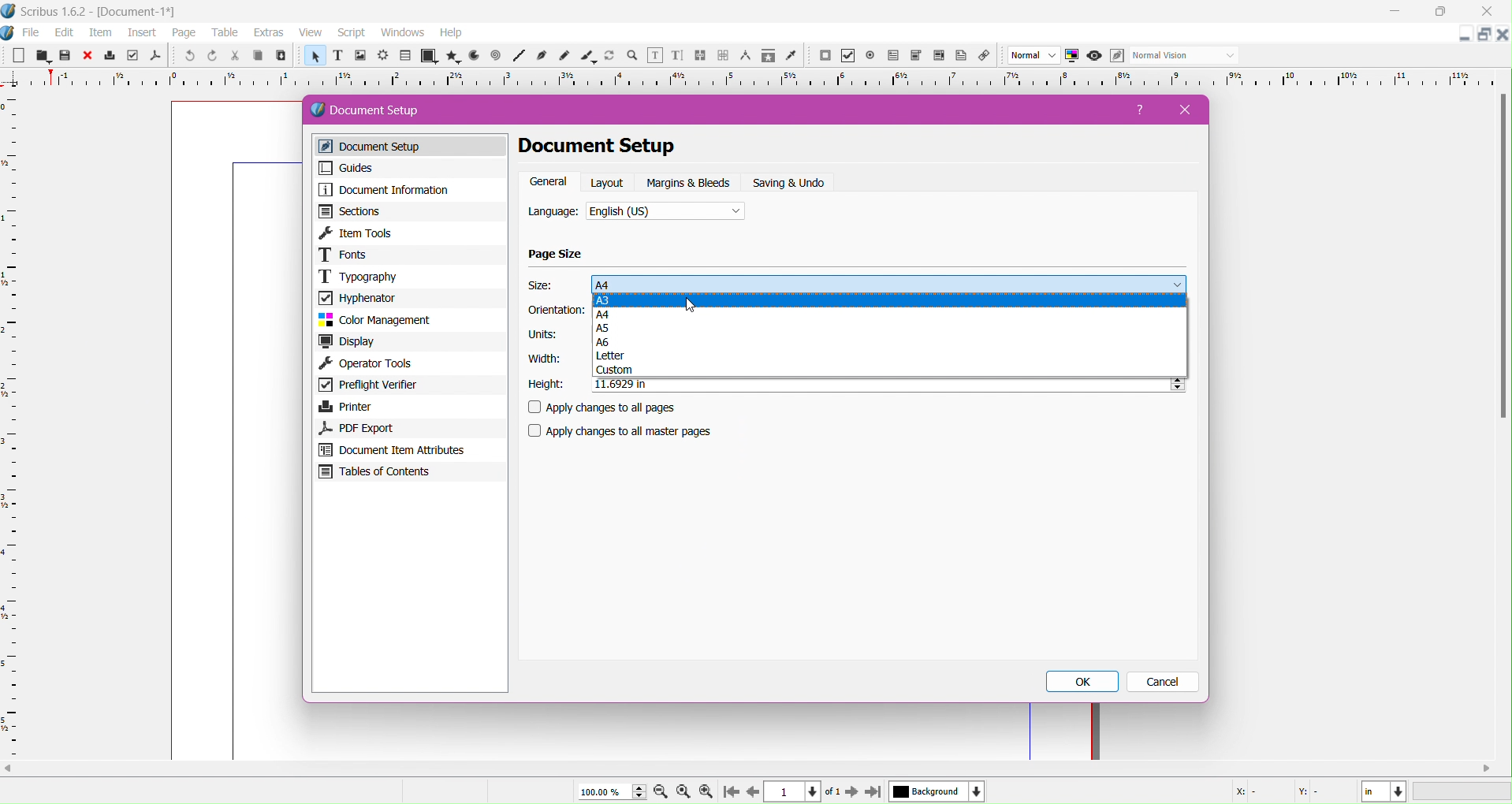  Describe the element at coordinates (1085, 682) in the screenshot. I see `OK` at that location.